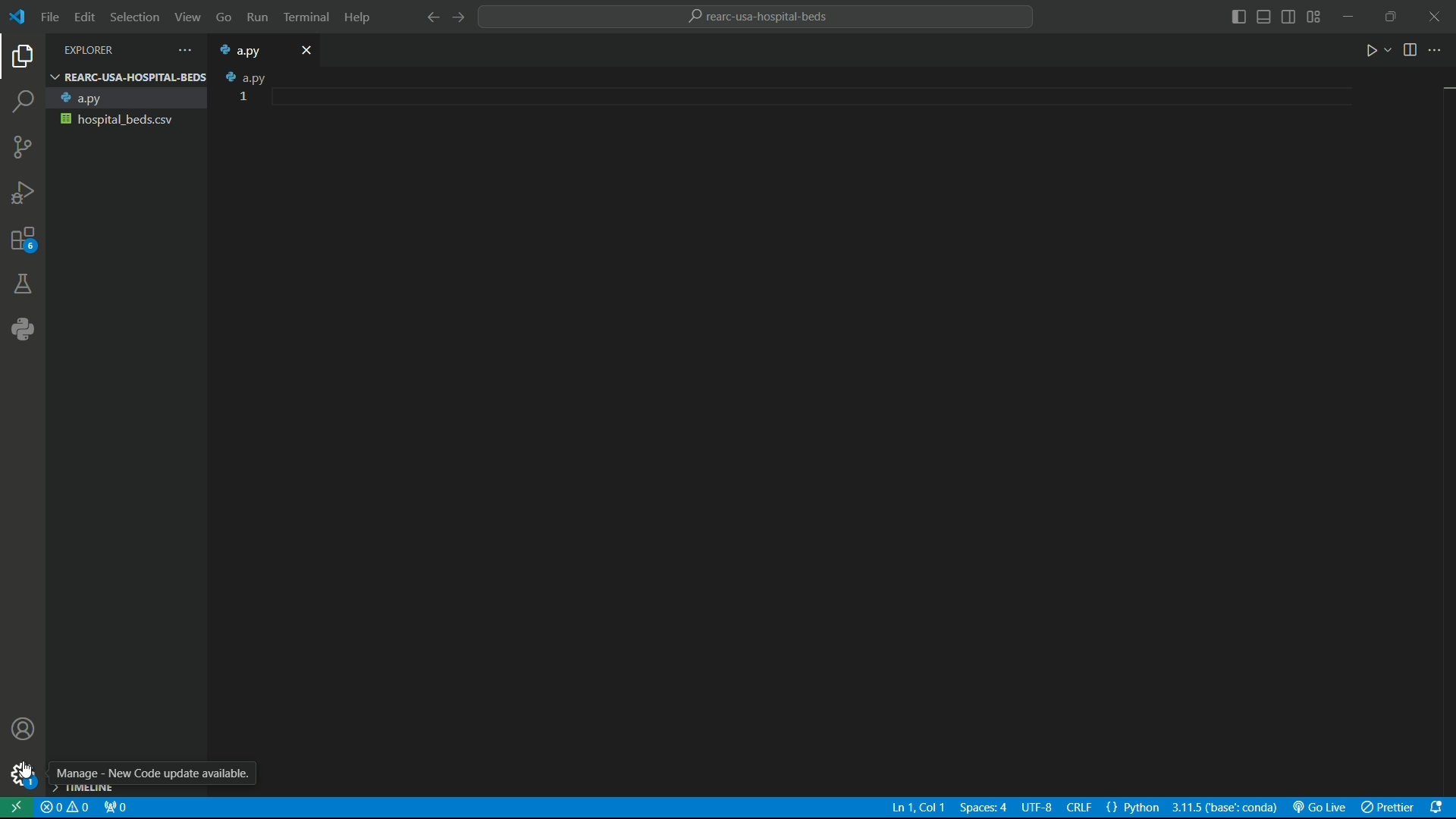  What do you see at coordinates (245, 96) in the screenshot?
I see `1` at bounding box center [245, 96].